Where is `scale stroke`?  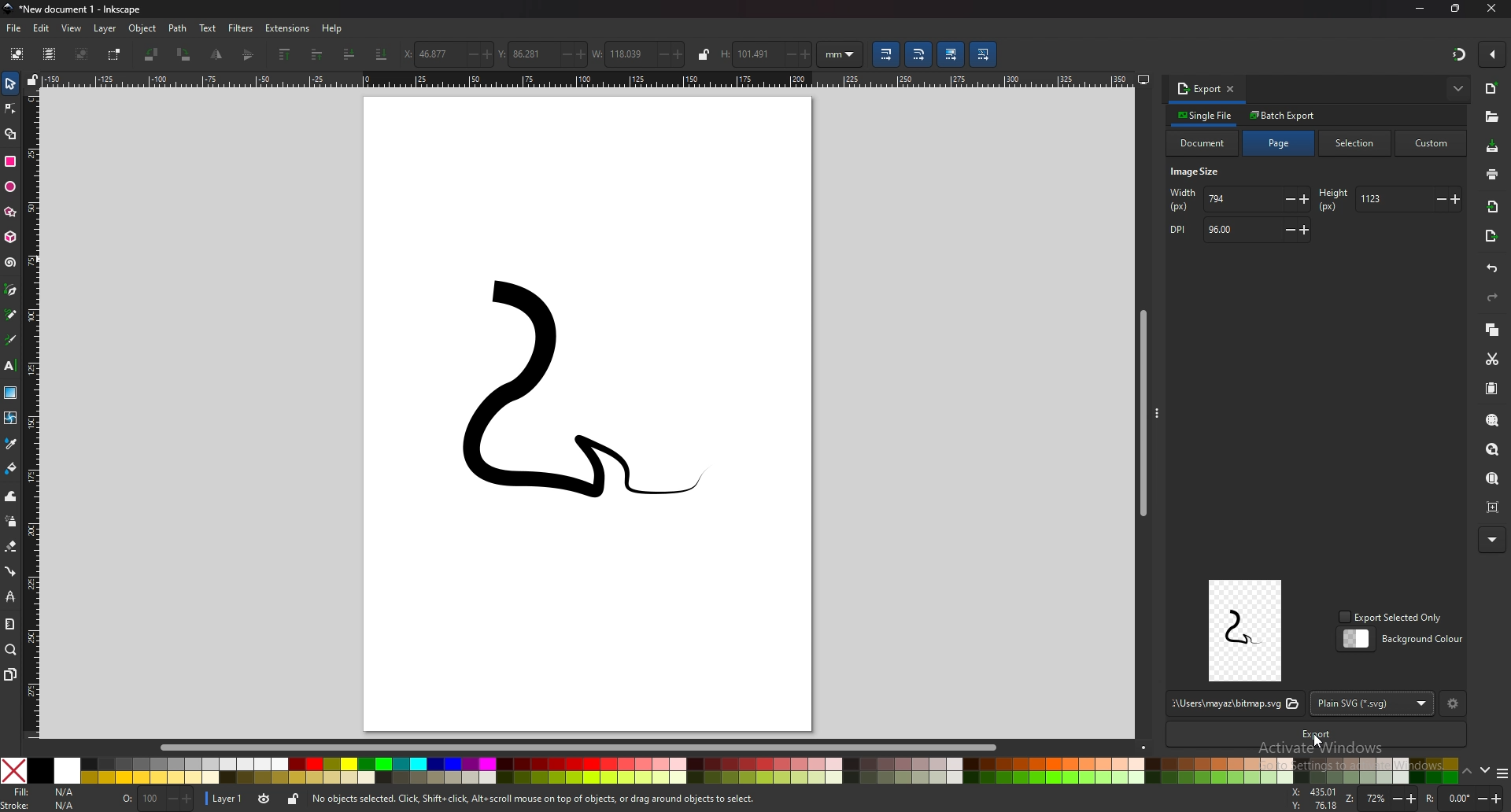
scale stroke is located at coordinates (885, 54).